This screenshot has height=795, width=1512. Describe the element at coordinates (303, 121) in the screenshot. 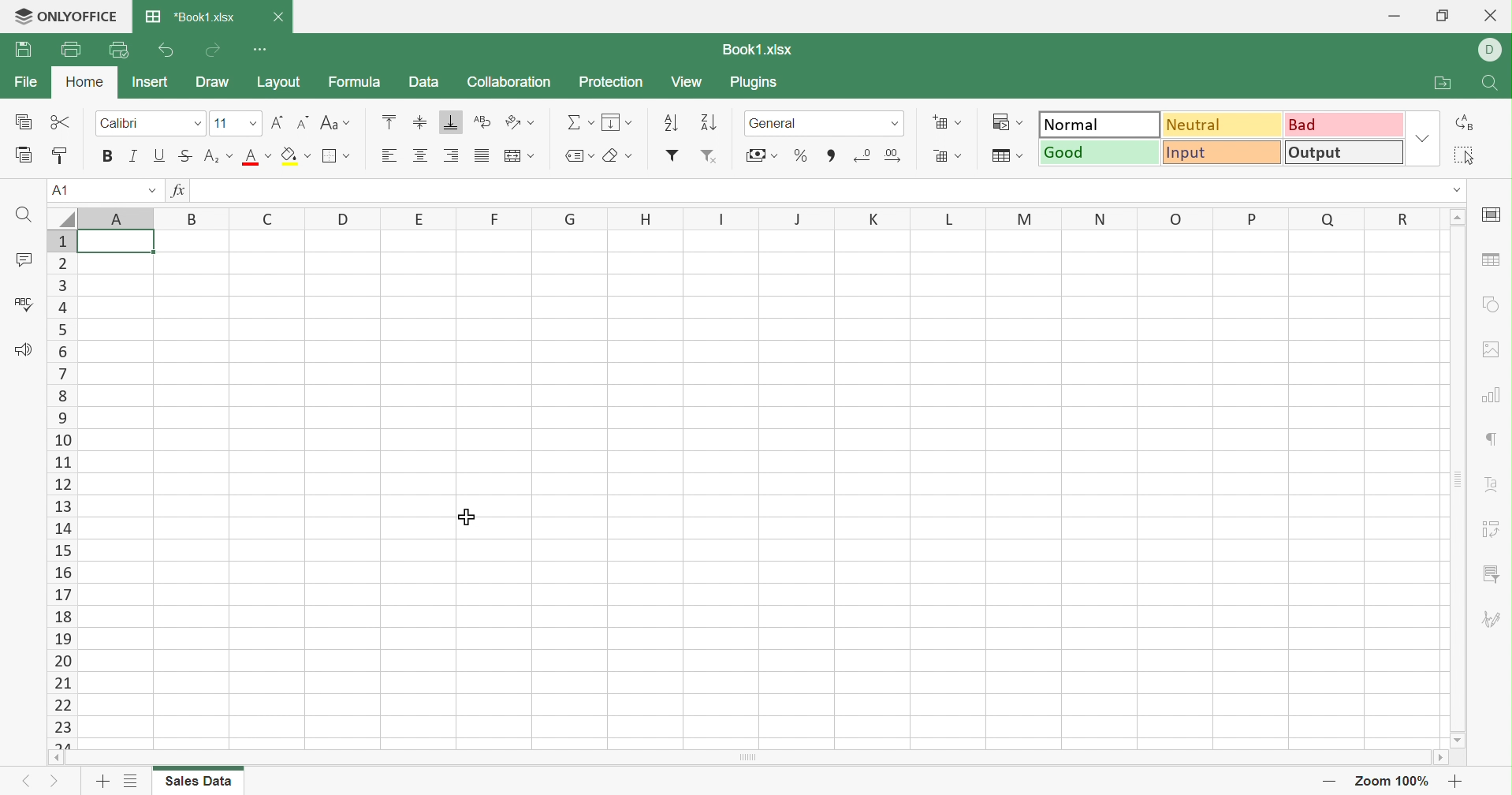

I see `Decrement font size` at that location.